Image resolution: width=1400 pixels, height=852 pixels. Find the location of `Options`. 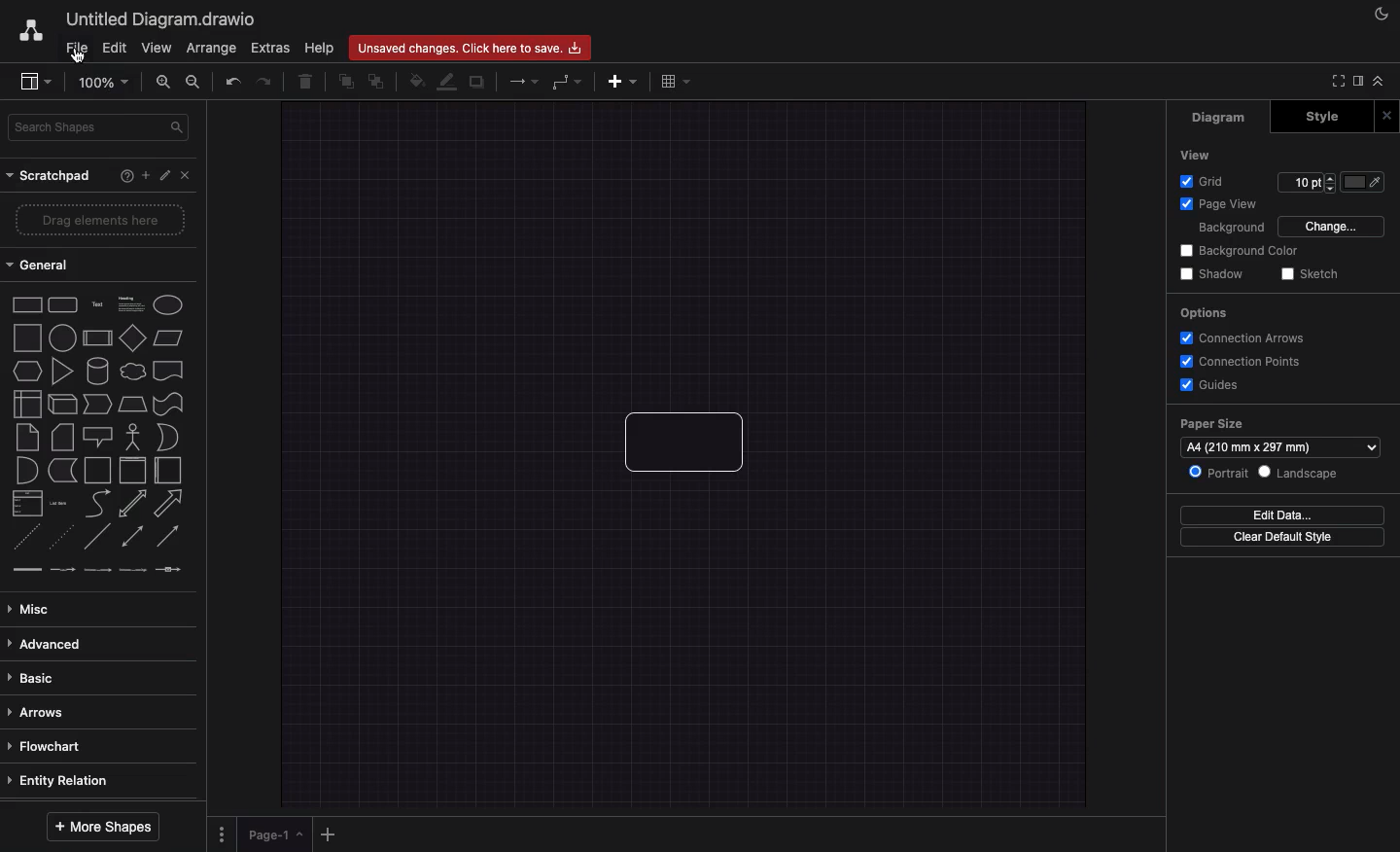

Options is located at coordinates (223, 834).